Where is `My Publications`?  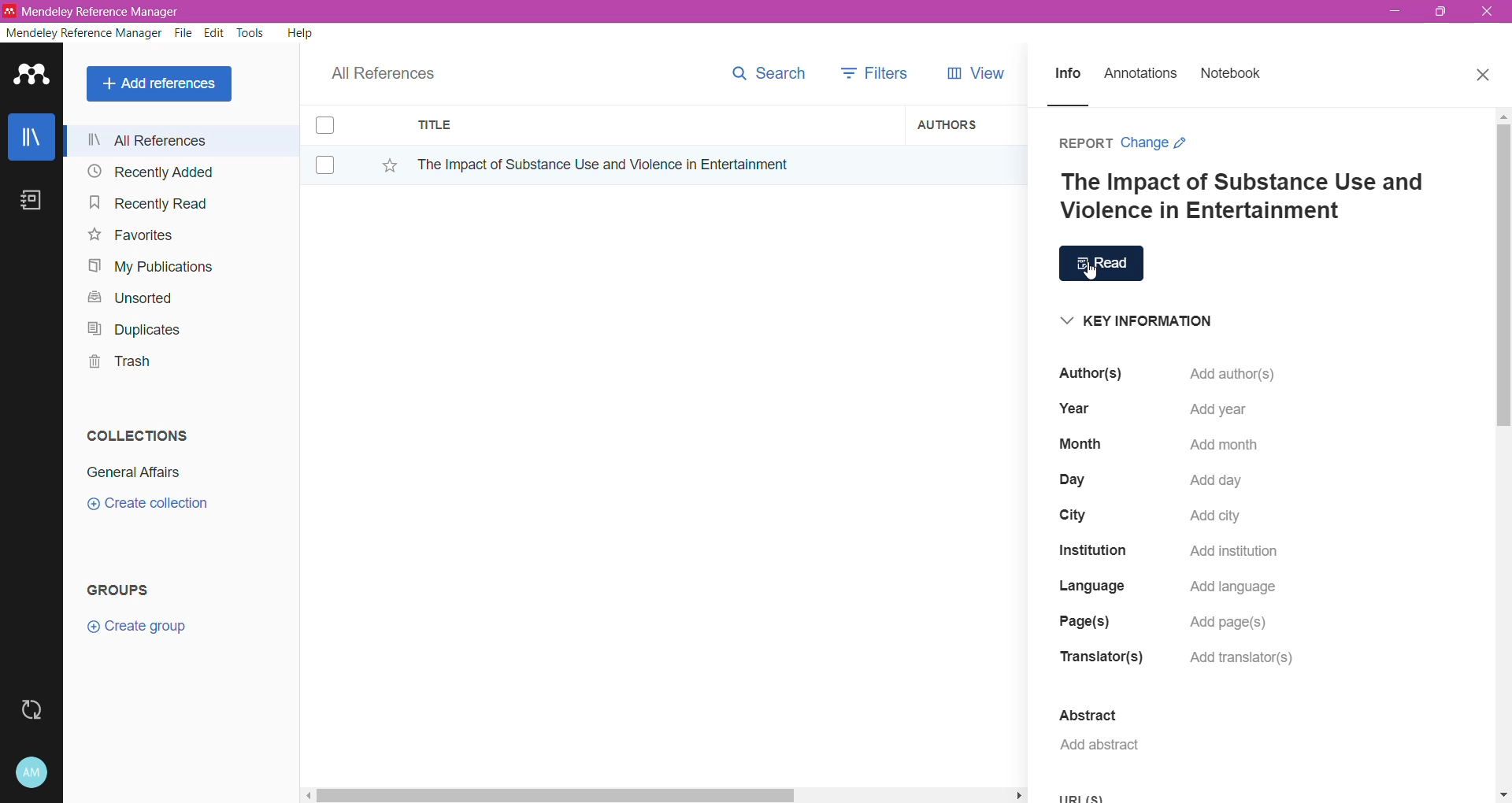
My Publications is located at coordinates (147, 267).